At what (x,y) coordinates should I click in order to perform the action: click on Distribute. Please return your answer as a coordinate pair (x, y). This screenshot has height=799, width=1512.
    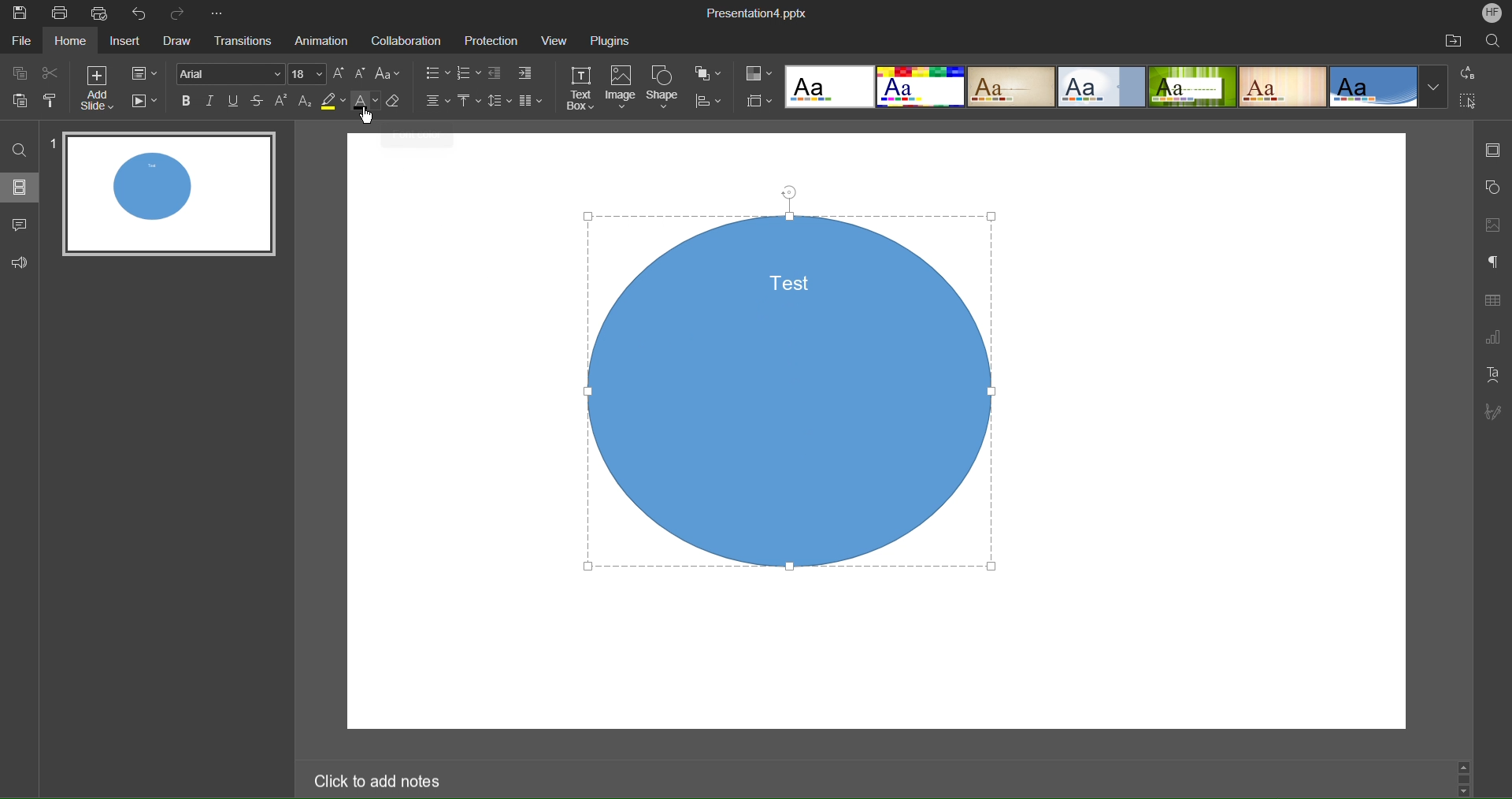
    Looking at the image, I should click on (706, 99).